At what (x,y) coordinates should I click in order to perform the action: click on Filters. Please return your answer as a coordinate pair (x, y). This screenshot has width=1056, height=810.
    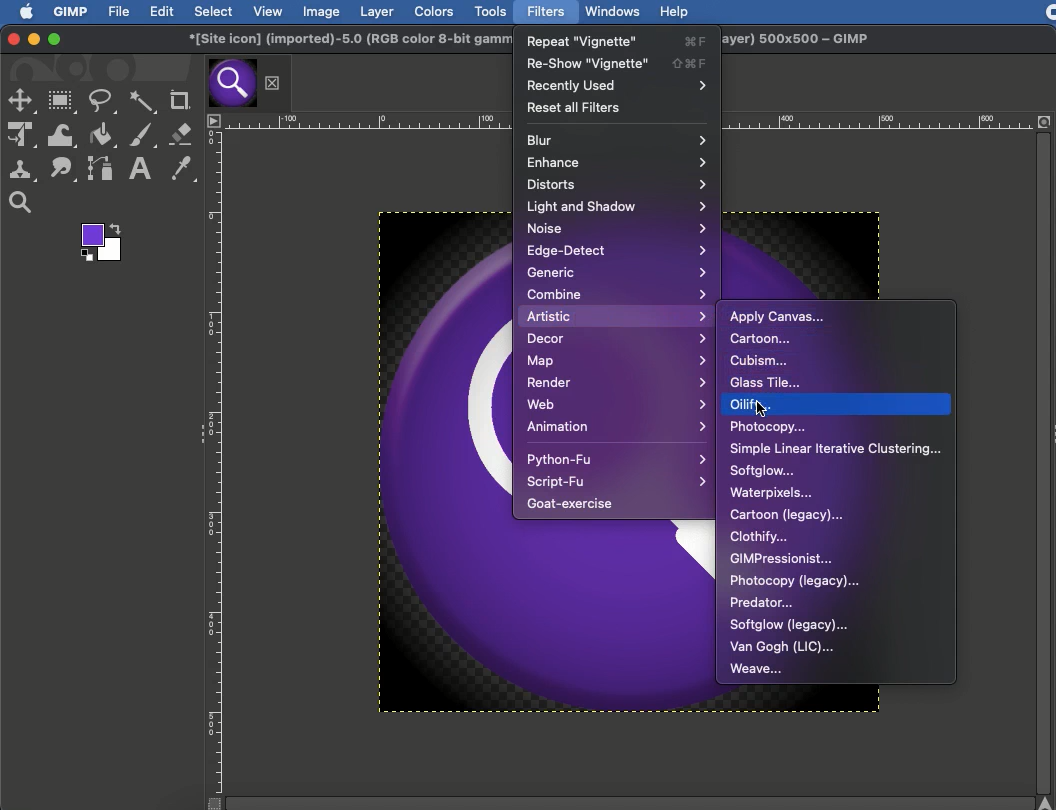
    Looking at the image, I should click on (547, 11).